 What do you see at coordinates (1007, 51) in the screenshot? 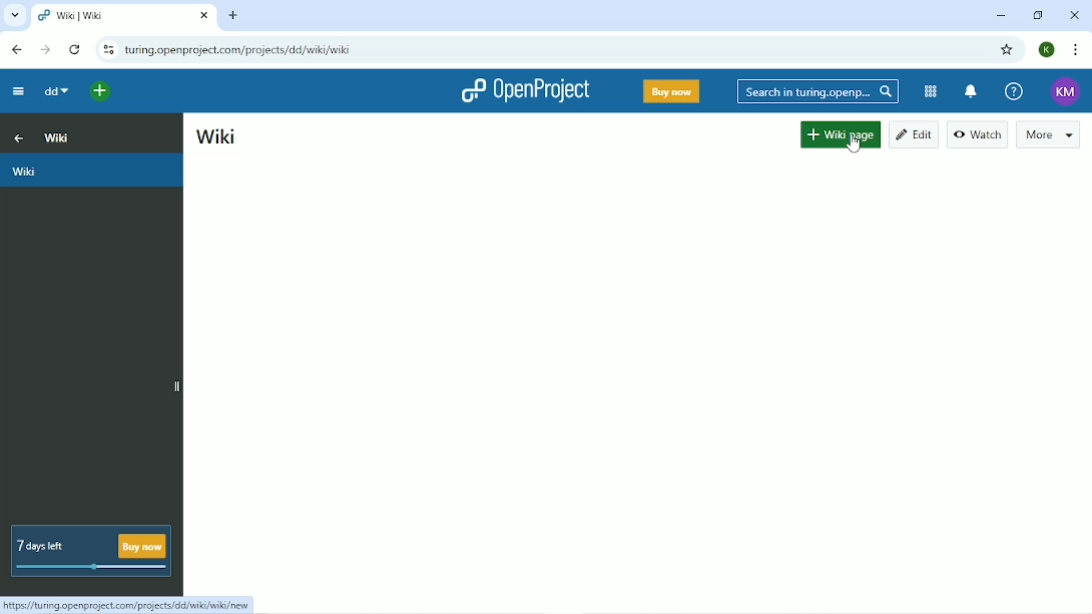
I see `Bookmark this tab` at bounding box center [1007, 51].